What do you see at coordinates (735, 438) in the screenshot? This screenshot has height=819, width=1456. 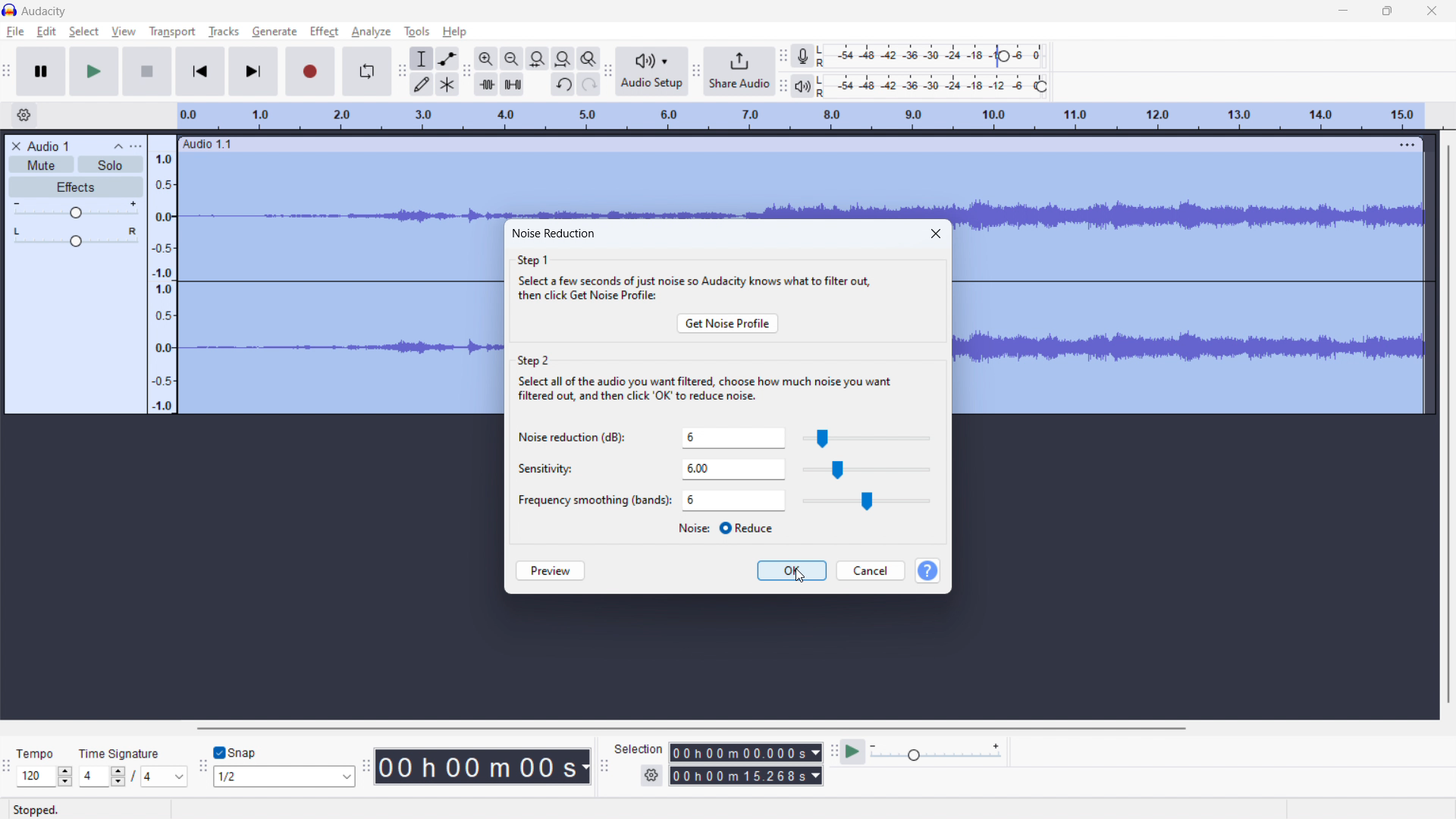 I see `set noise reduction level` at bounding box center [735, 438].